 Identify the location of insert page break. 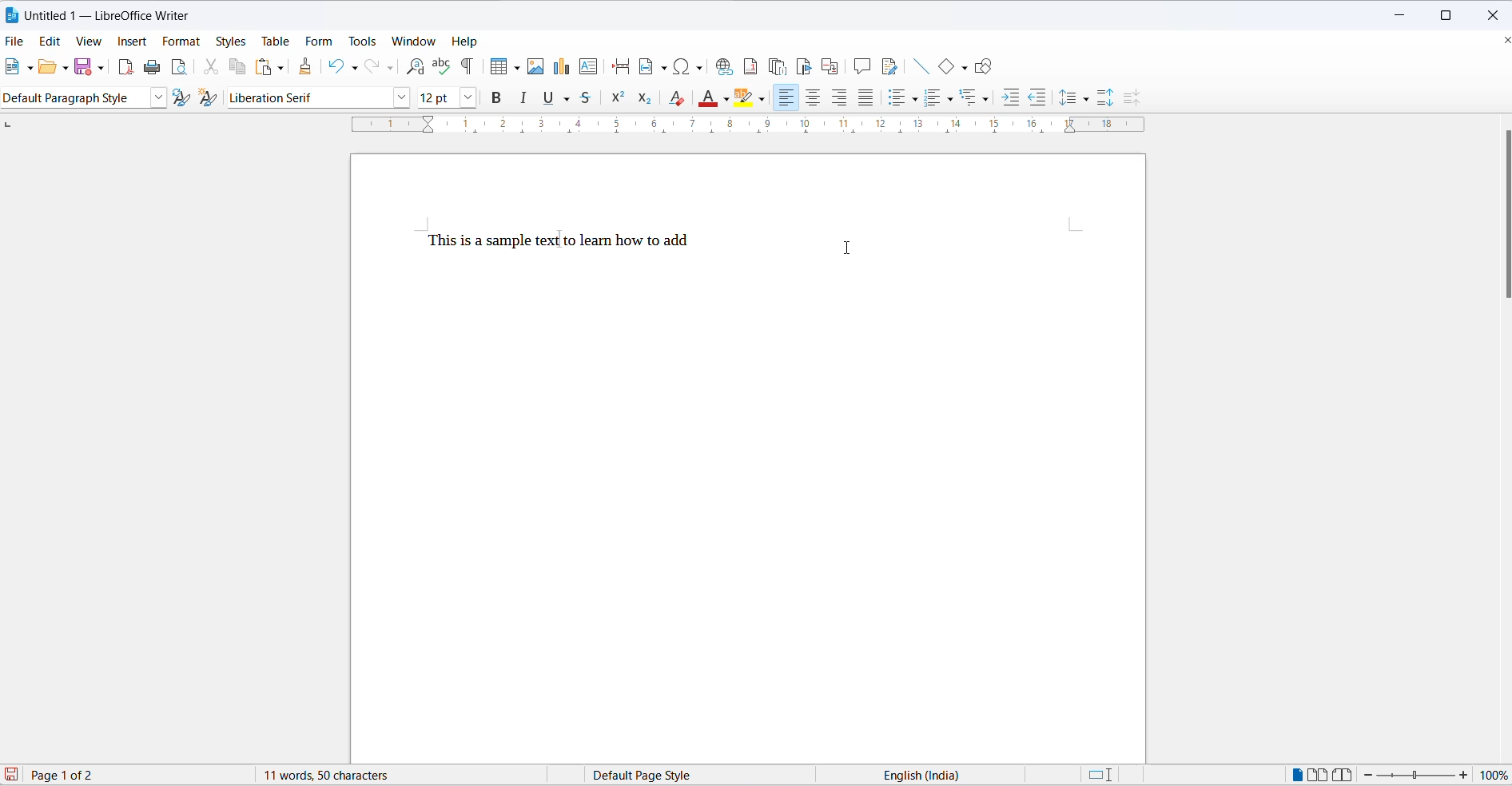
(620, 68).